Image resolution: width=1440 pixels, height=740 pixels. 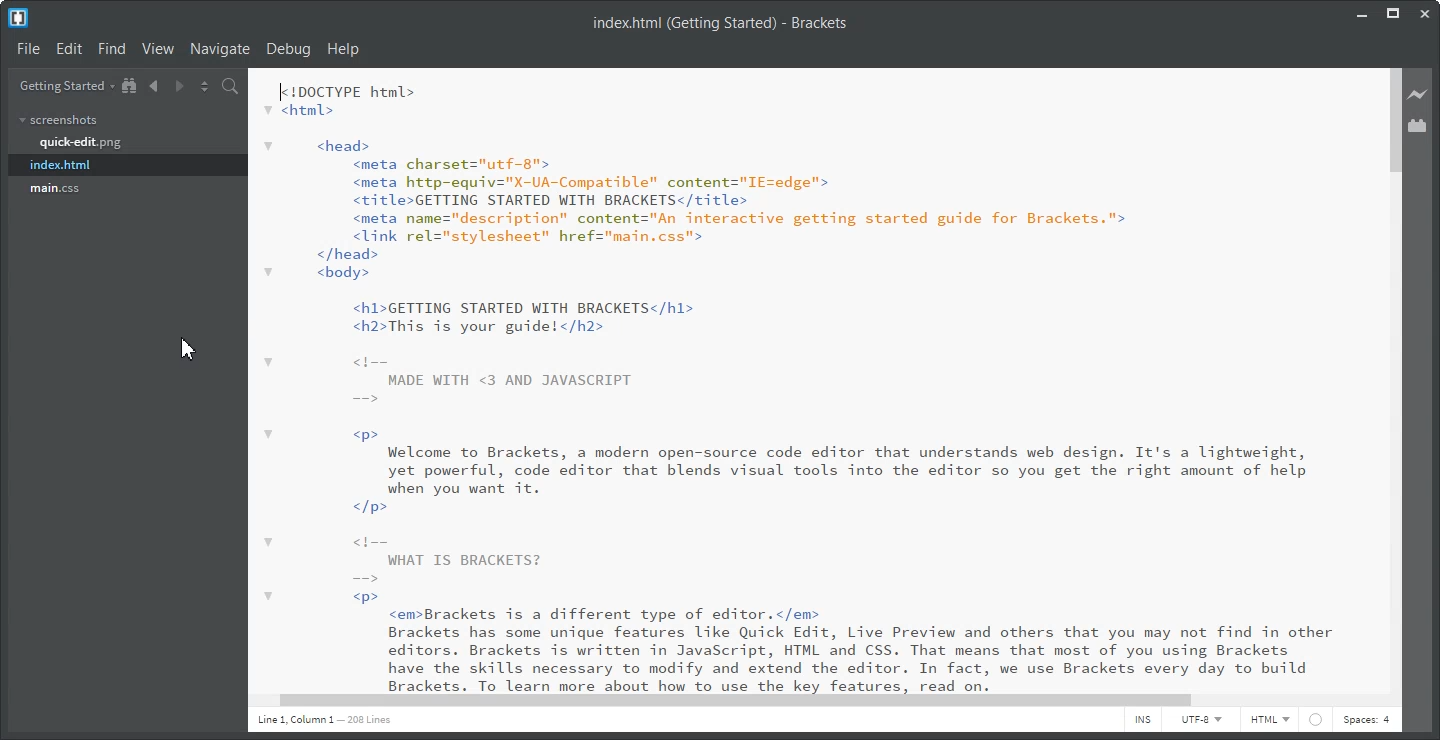 What do you see at coordinates (27, 48) in the screenshot?
I see `File` at bounding box center [27, 48].